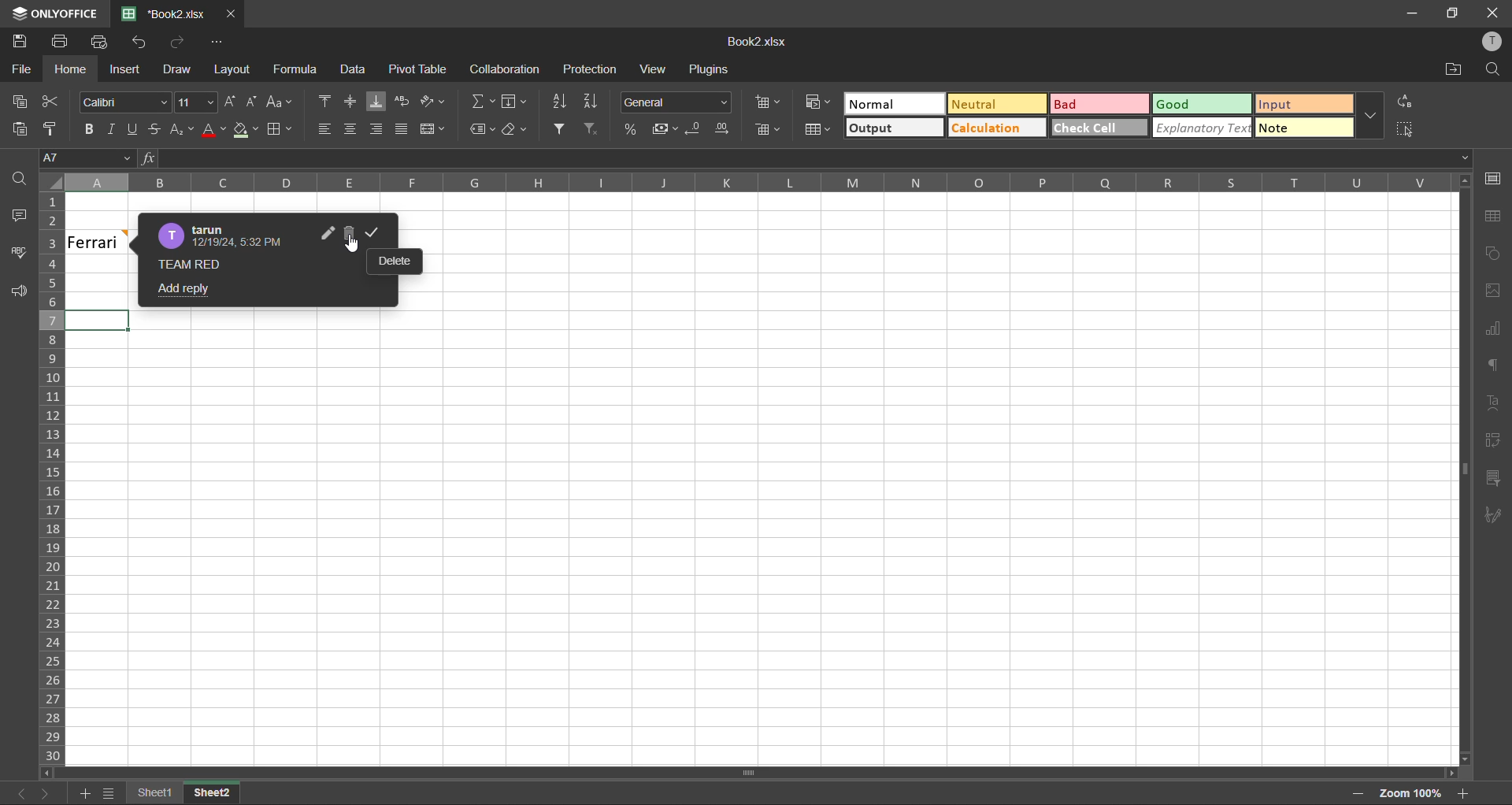 The width and height of the screenshot is (1512, 805). I want to click on accounting, so click(665, 129).